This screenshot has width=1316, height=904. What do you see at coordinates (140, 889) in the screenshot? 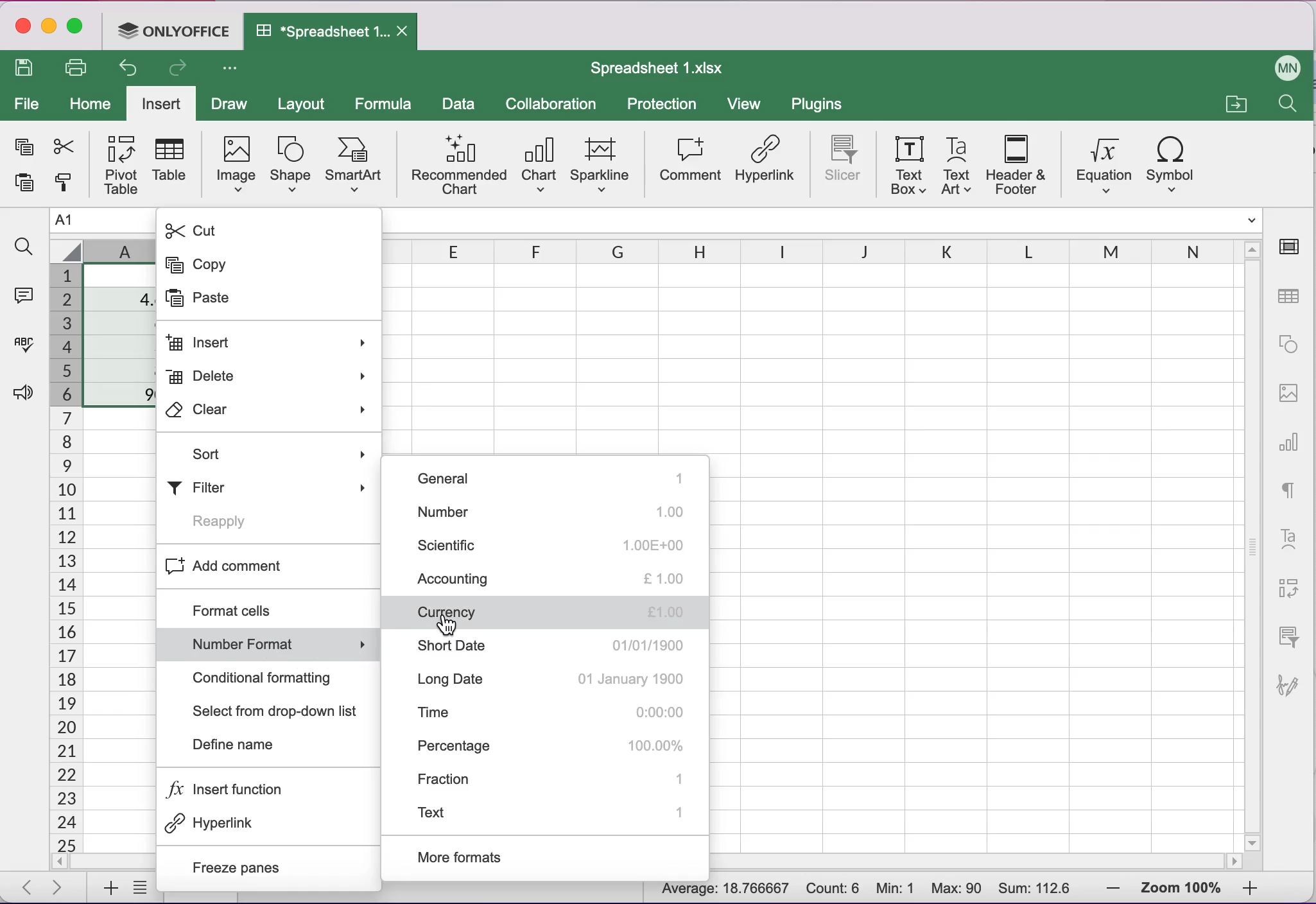
I see `list of sheets` at bounding box center [140, 889].